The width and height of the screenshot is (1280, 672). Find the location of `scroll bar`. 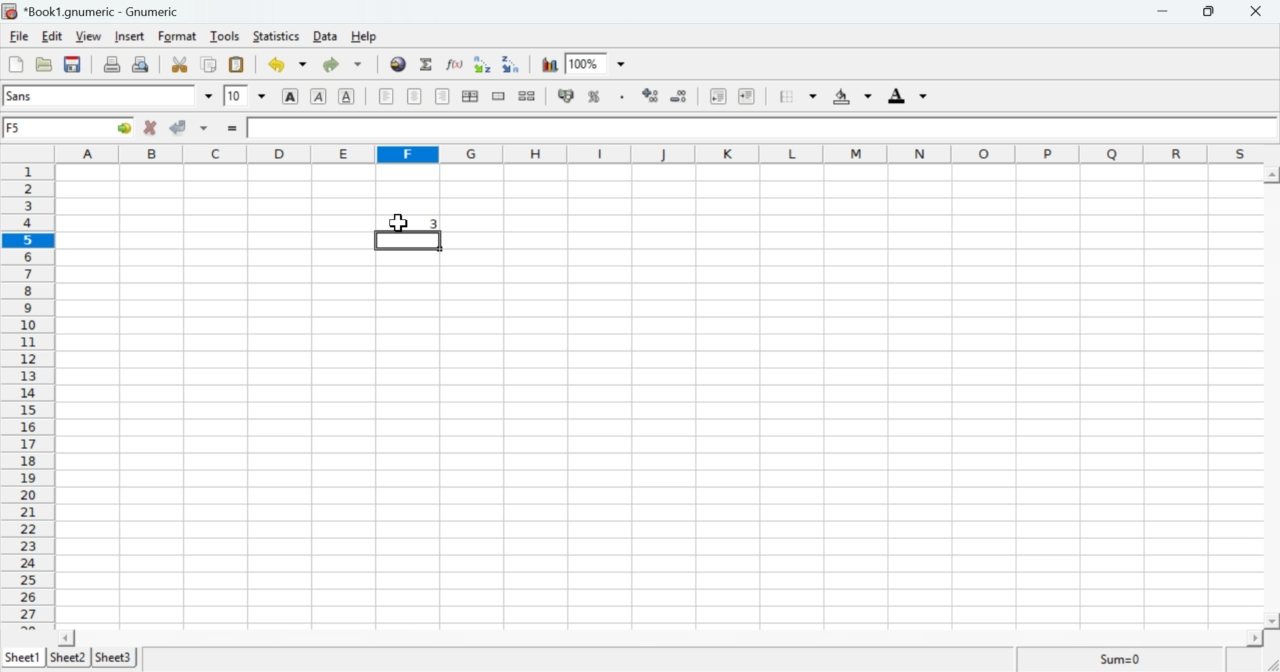

scroll bar is located at coordinates (669, 638).